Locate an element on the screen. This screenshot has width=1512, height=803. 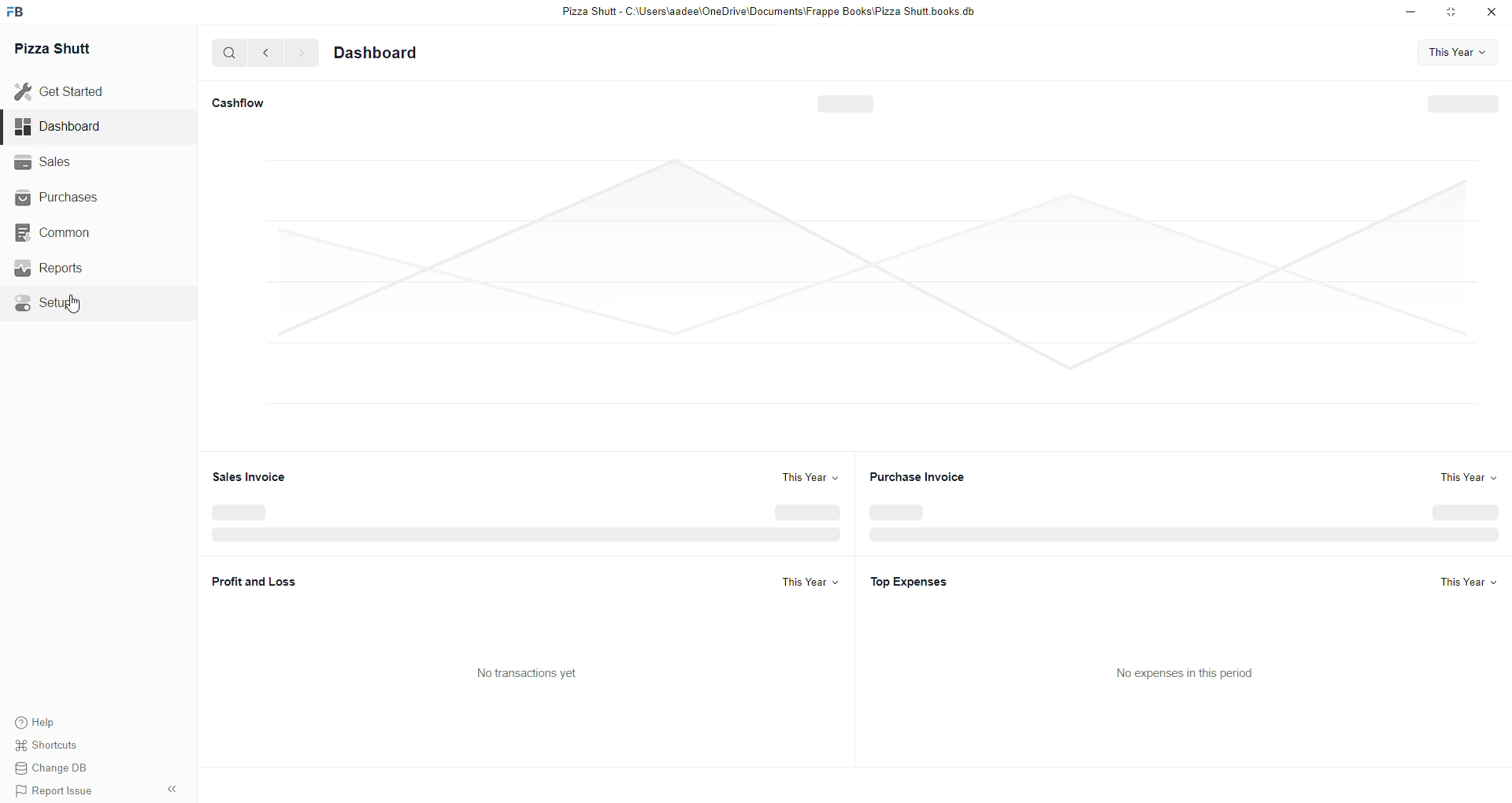
minimize is located at coordinates (1410, 13).